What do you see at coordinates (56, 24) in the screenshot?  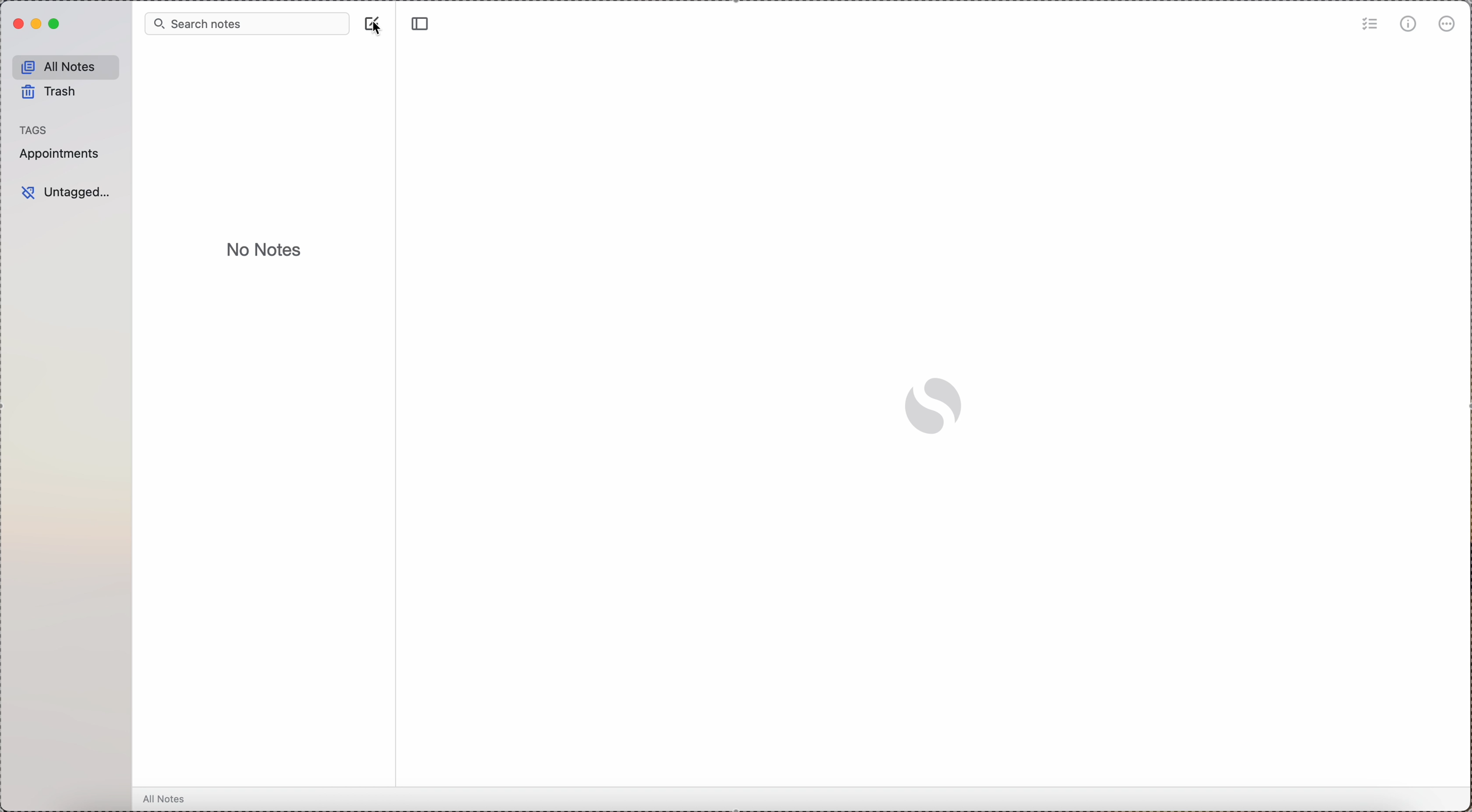 I see `maximize` at bounding box center [56, 24].